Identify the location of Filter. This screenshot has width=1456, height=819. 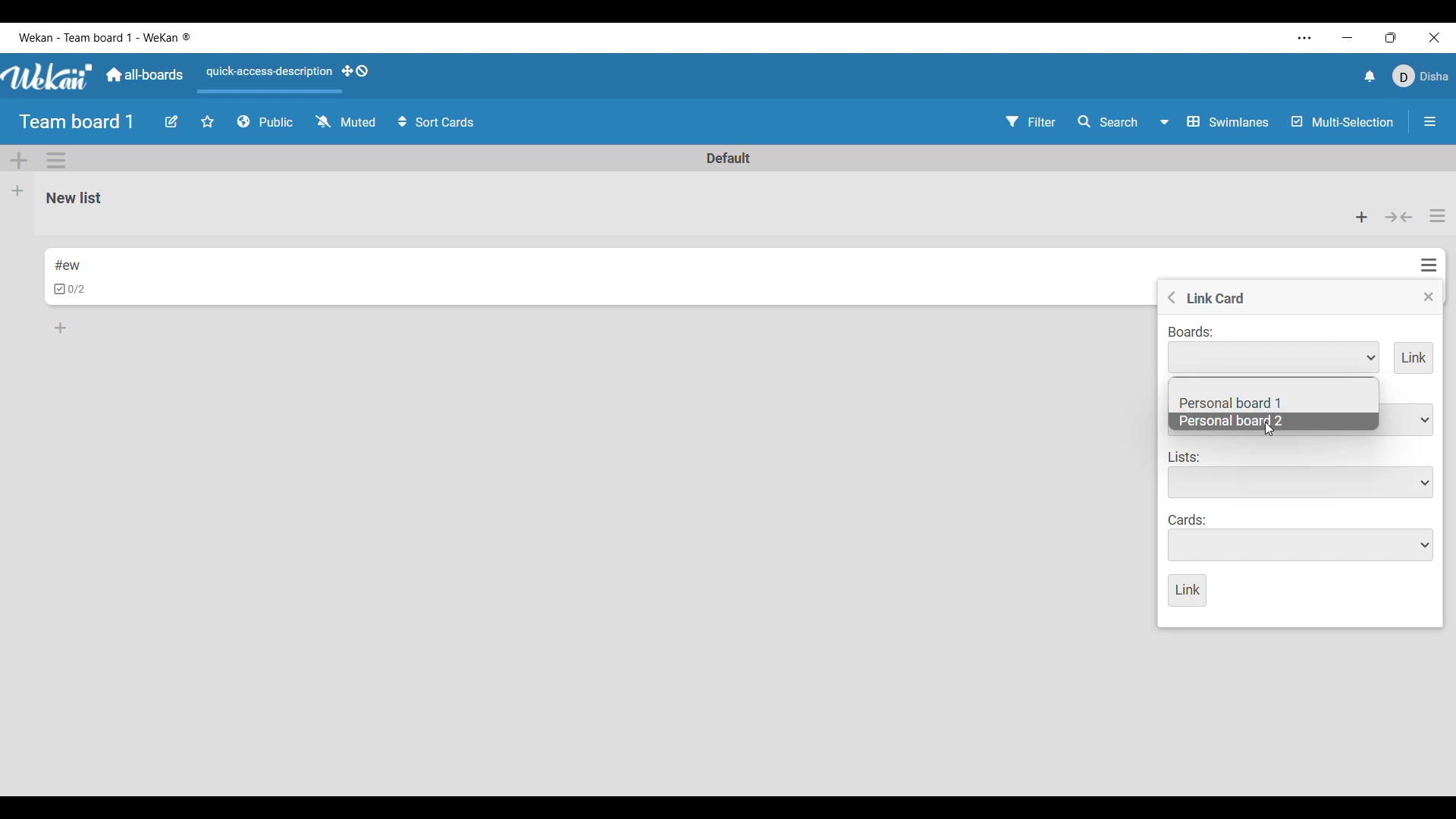
(1031, 121).